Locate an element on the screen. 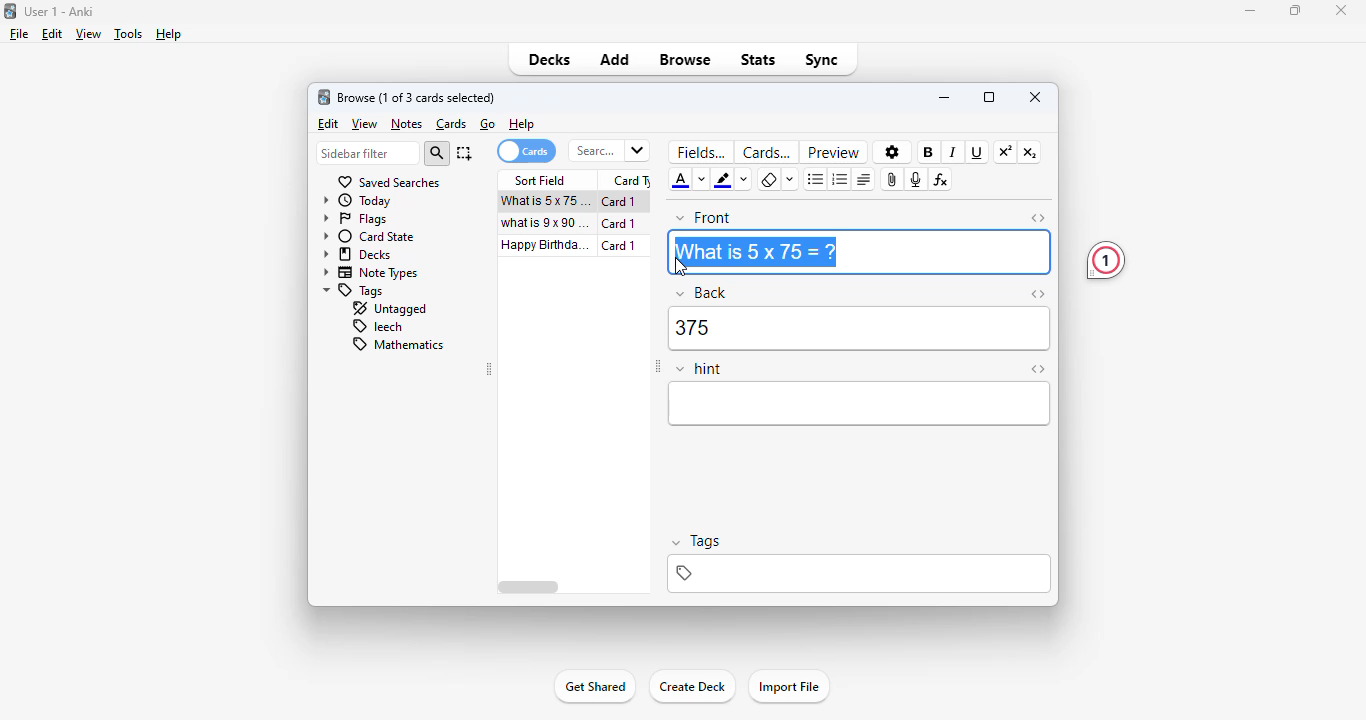  what is 9x90=? is located at coordinates (546, 223).